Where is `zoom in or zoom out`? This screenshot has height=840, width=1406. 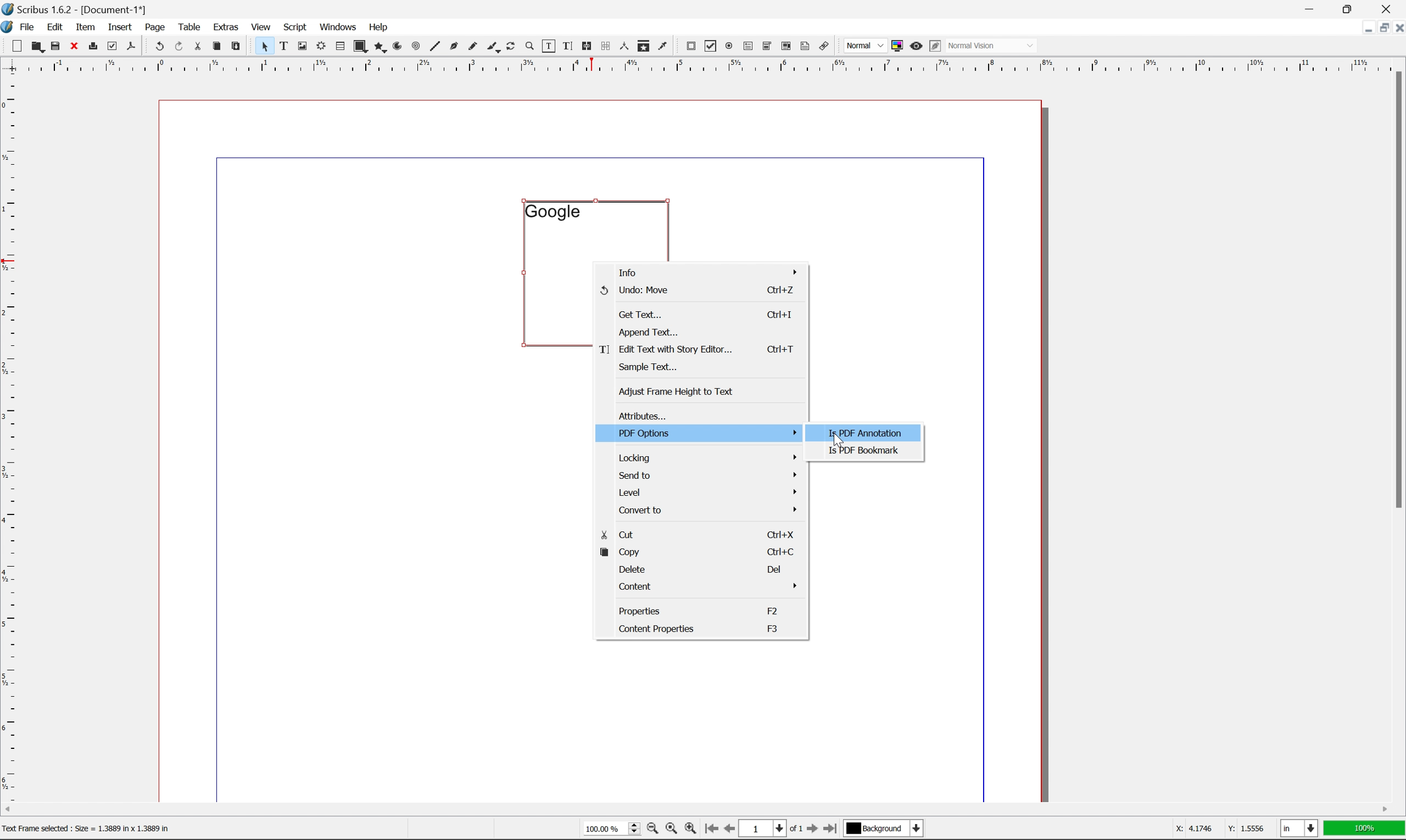
zoom in or zoom out is located at coordinates (531, 47).